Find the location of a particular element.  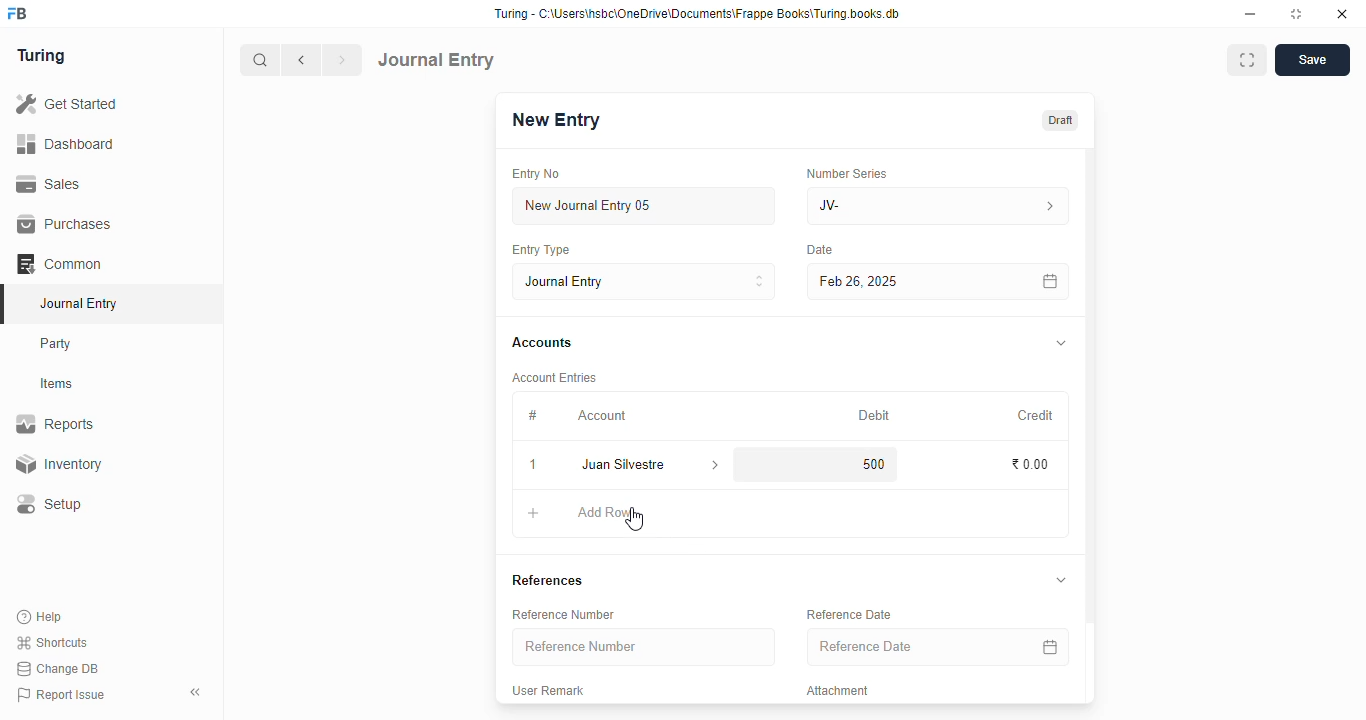

previous is located at coordinates (303, 60).